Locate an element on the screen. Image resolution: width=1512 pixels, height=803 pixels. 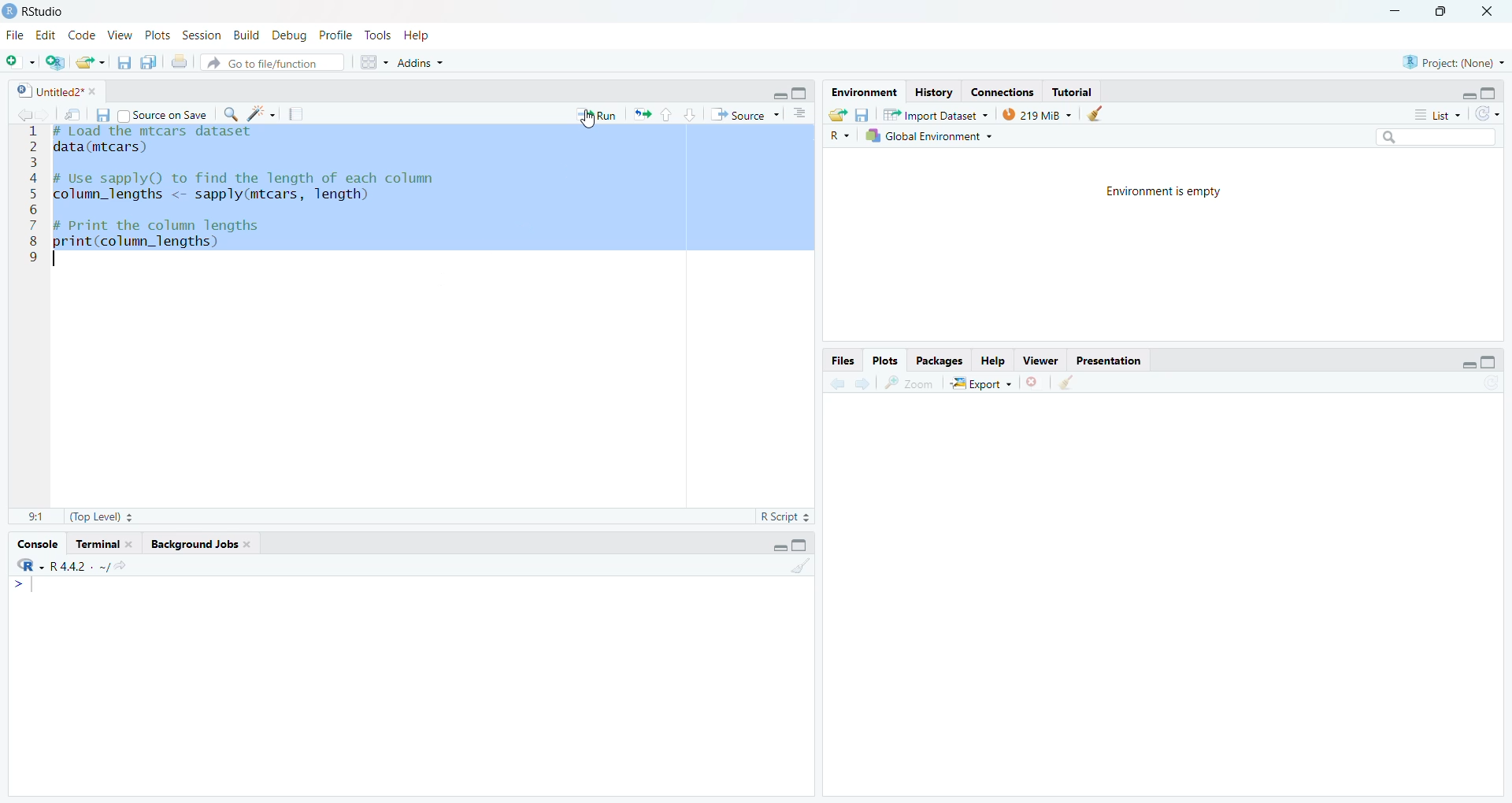
Viewer is located at coordinates (1039, 361).